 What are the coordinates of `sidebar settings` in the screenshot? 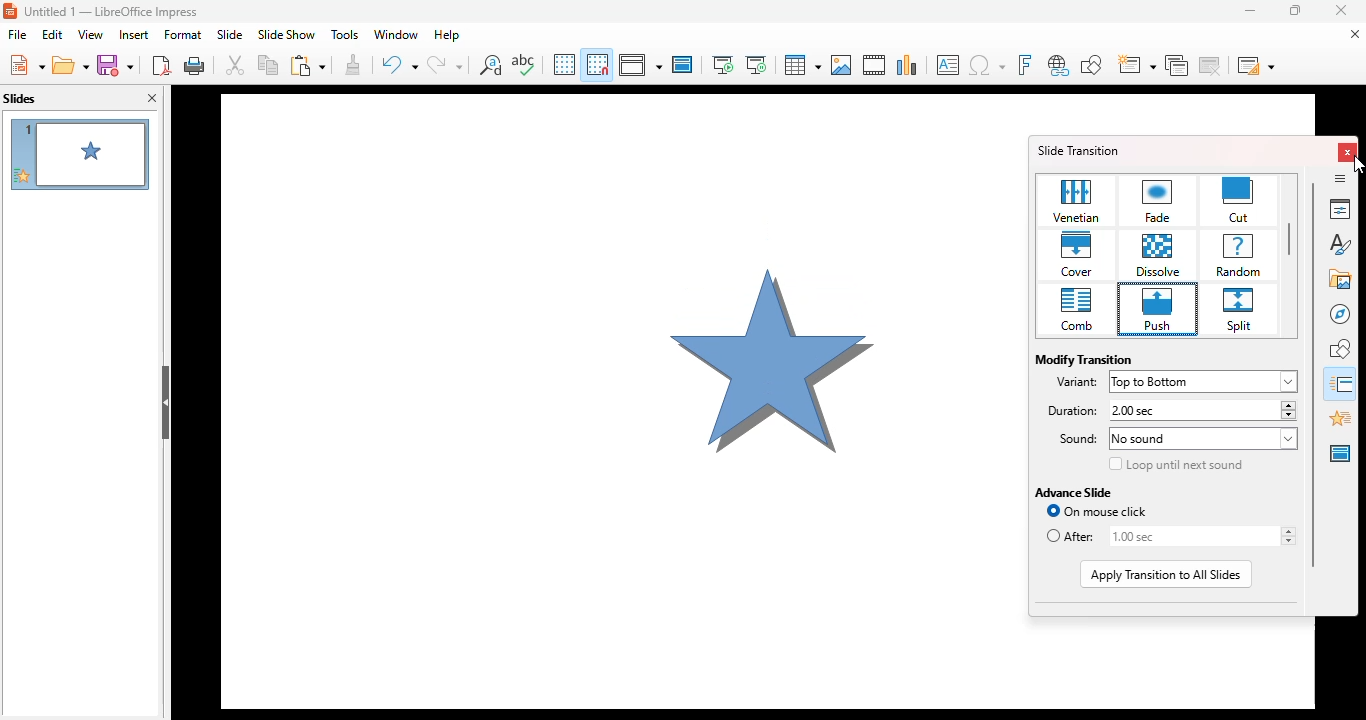 It's located at (1340, 178).